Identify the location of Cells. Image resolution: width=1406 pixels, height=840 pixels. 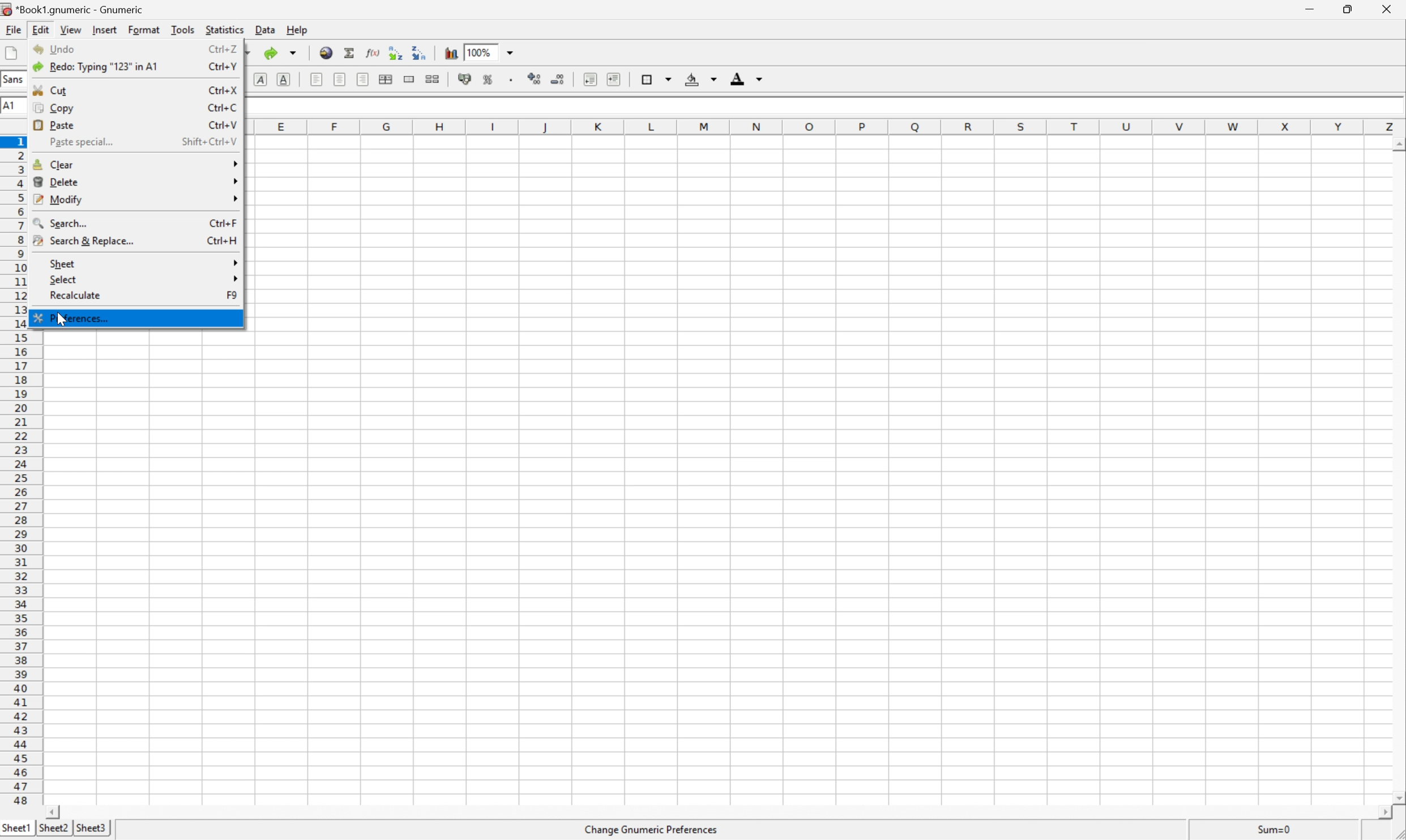
(827, 471).